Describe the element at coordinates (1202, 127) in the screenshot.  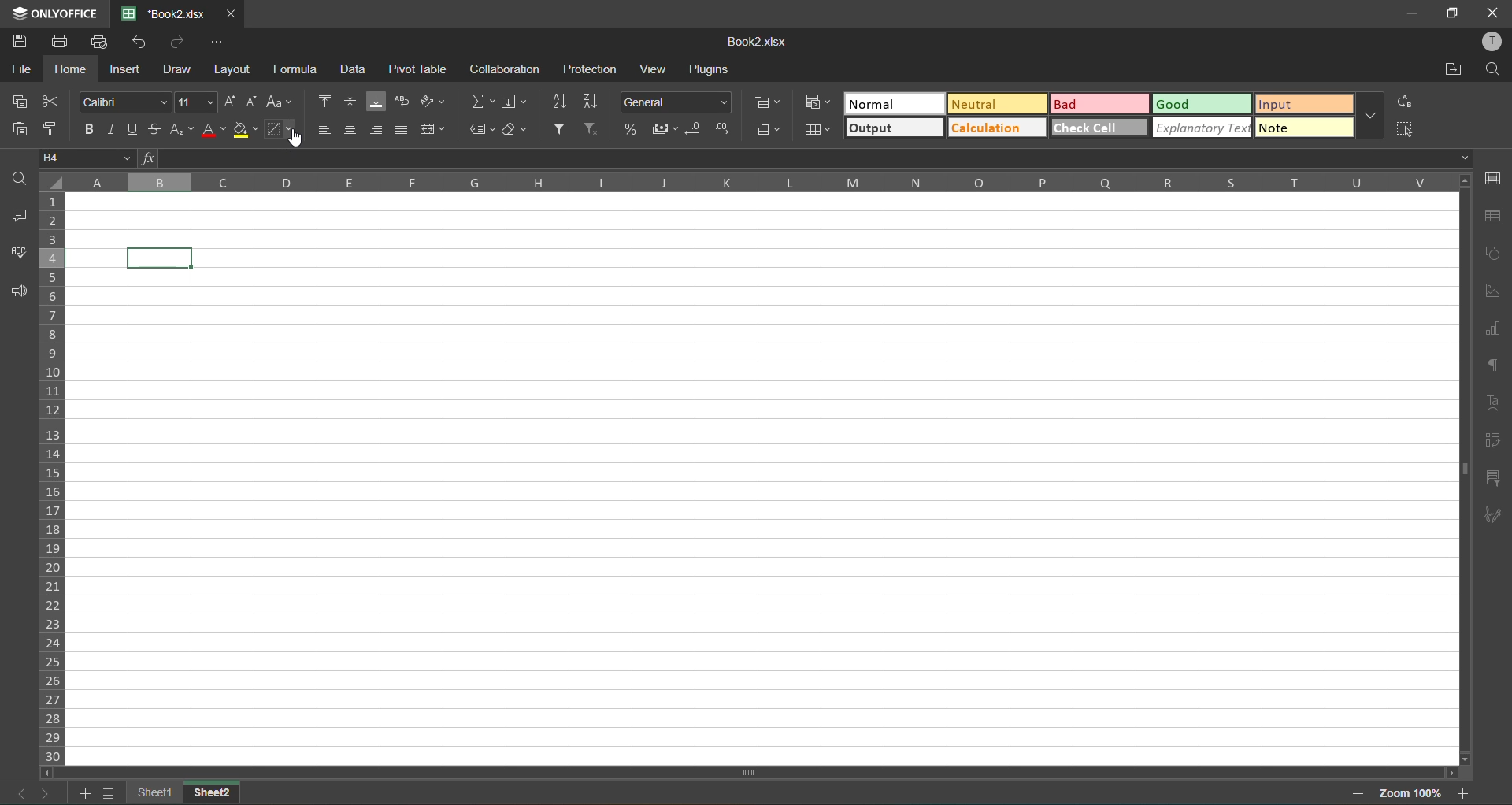
I see `explanatory check` at that location.